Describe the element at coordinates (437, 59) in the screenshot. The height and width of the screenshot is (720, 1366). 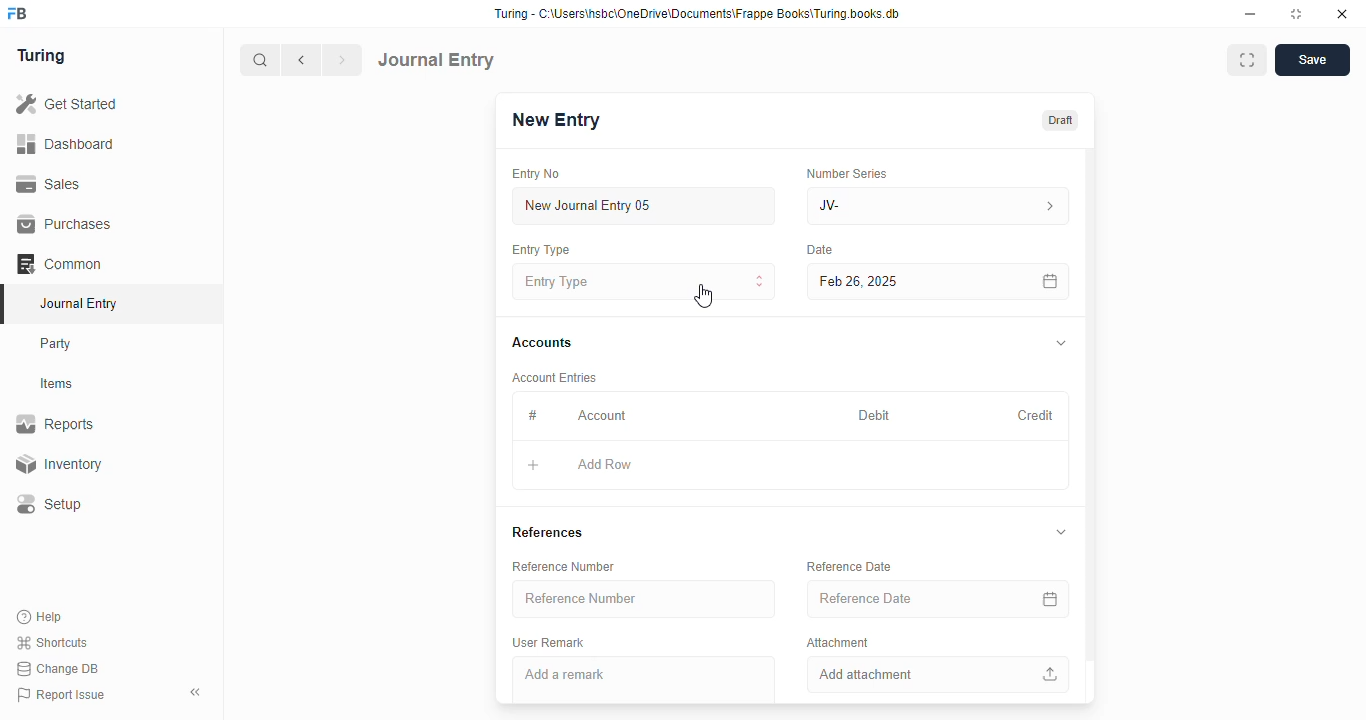
I see `journal entry` at that location.